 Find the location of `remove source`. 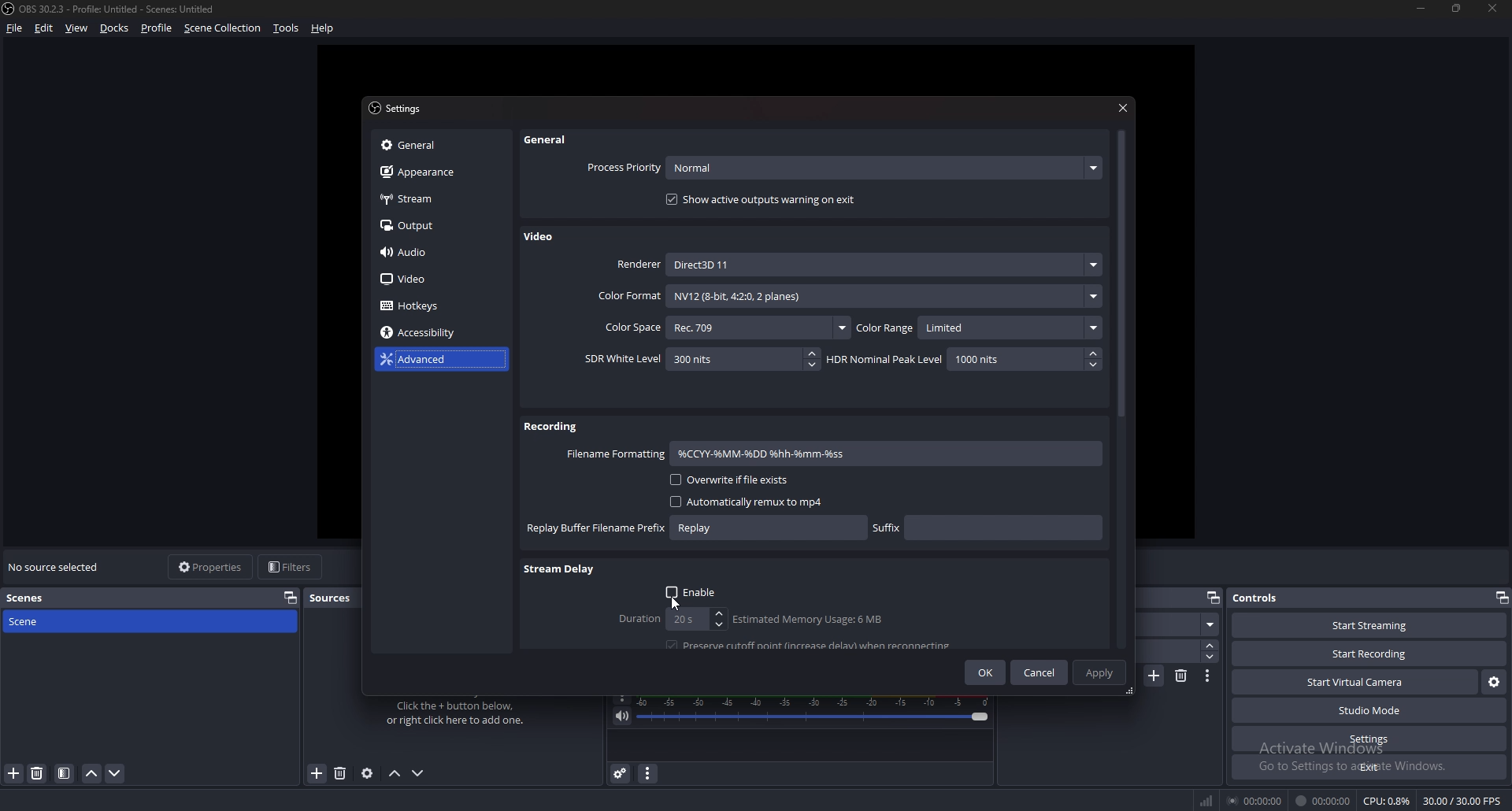

remove source is located at coordinates (340, 773).